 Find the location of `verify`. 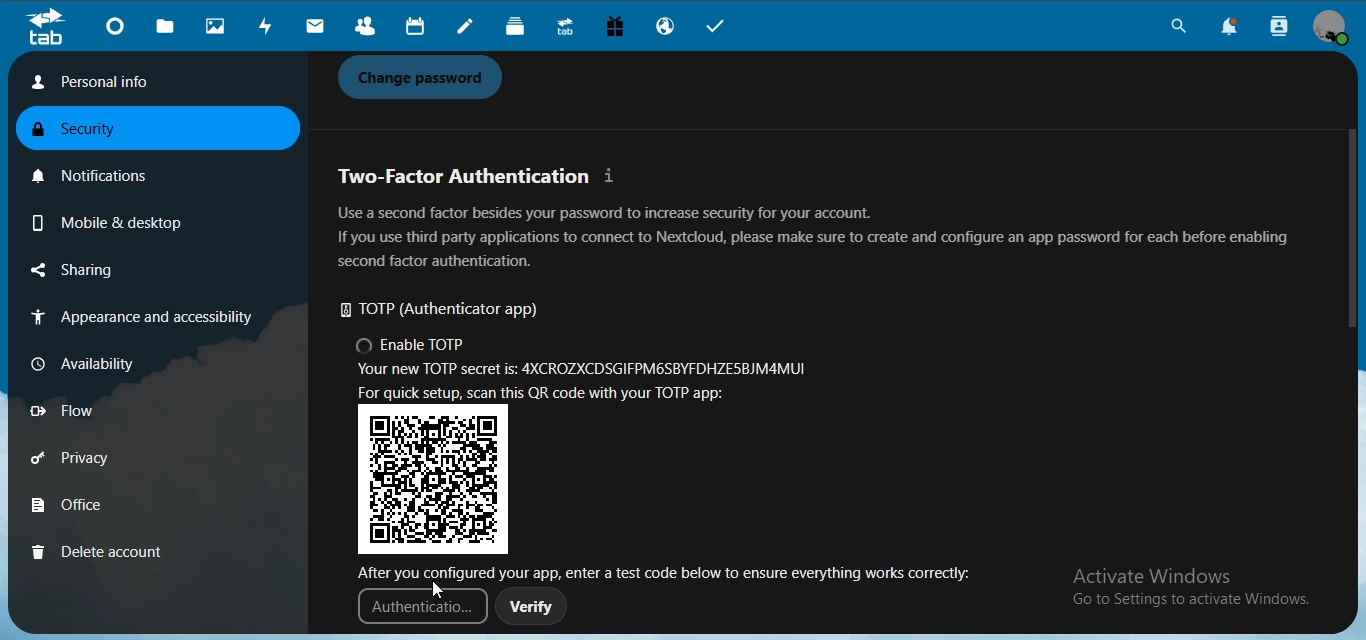

verify is located at coordinates (532, 610).